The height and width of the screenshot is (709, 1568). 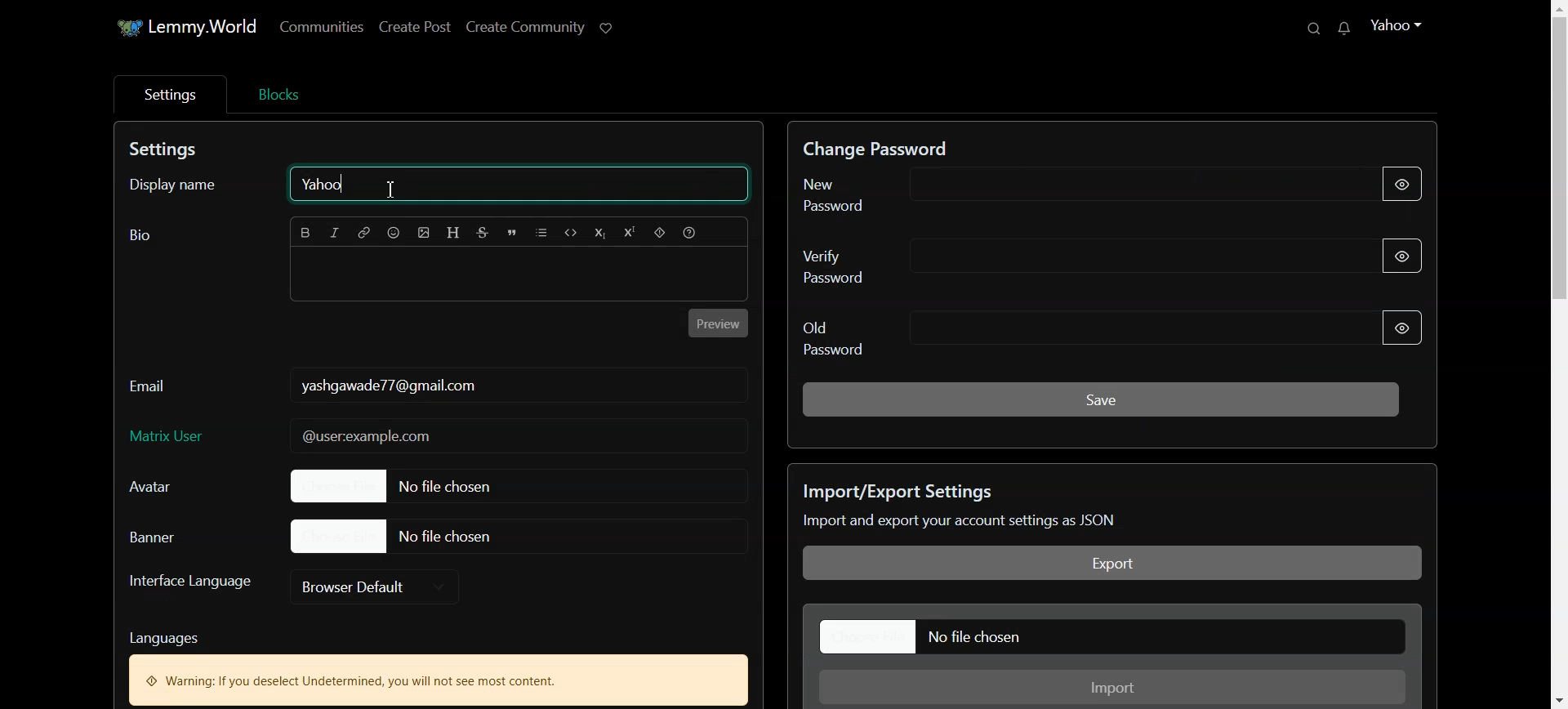 I want to click on Display name, so click(x=182, y=187).